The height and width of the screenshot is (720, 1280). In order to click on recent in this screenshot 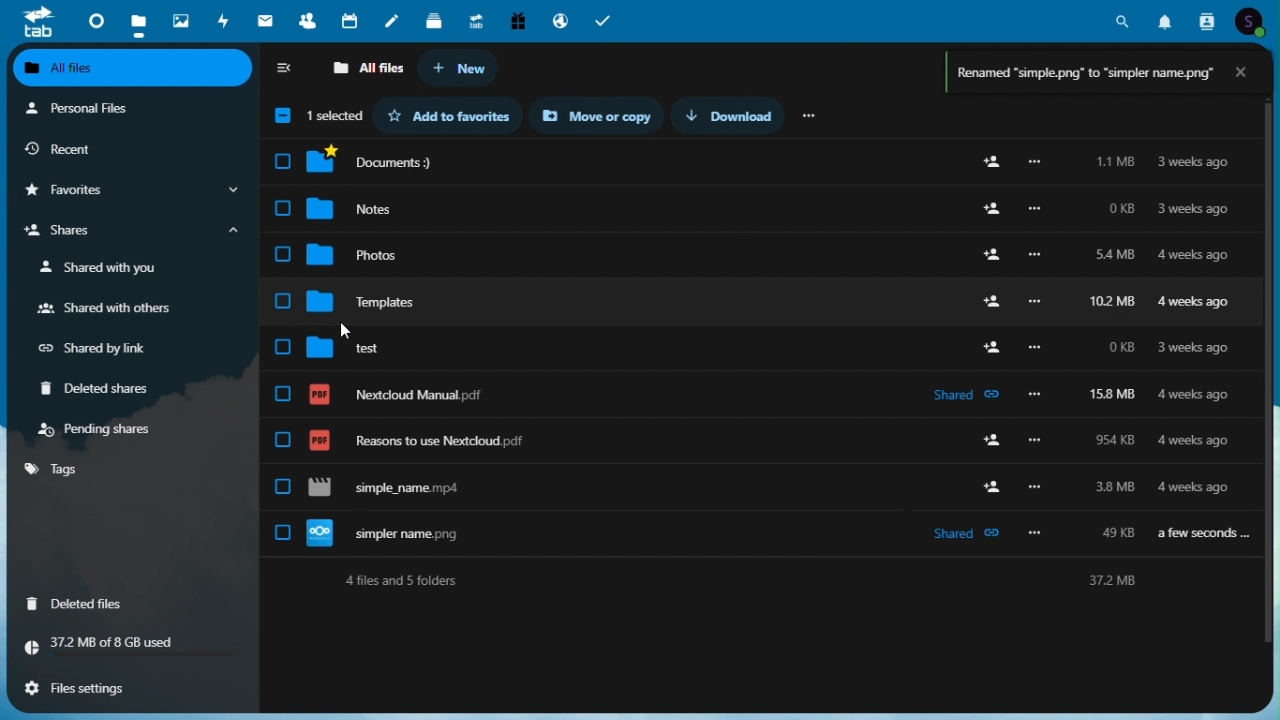, I will do `click(129, 149)`.